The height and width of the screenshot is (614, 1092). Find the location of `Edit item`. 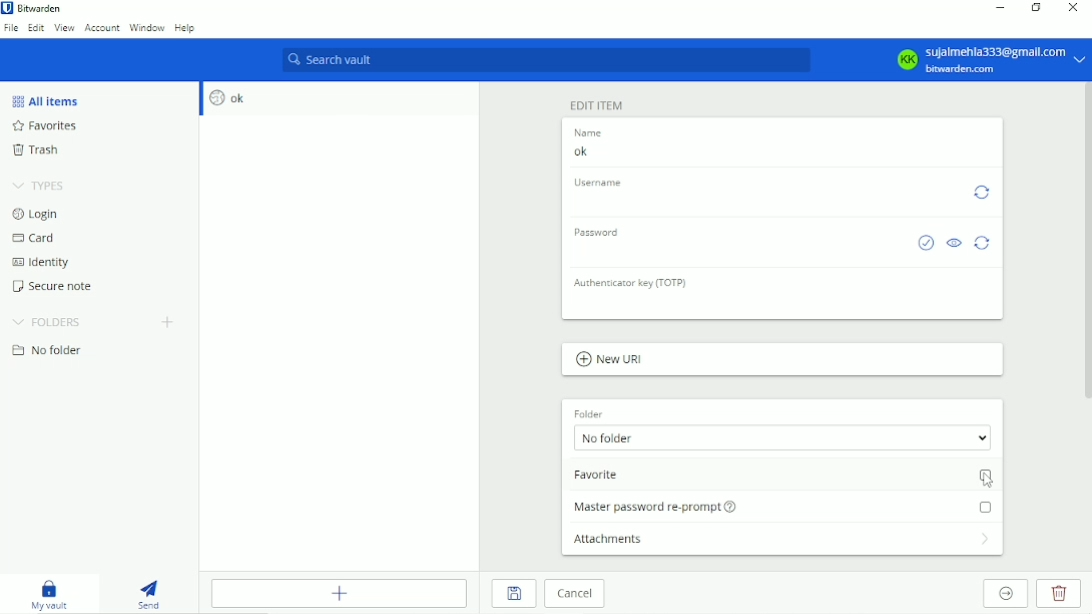

Edit item is located at coordinates (596, 105).